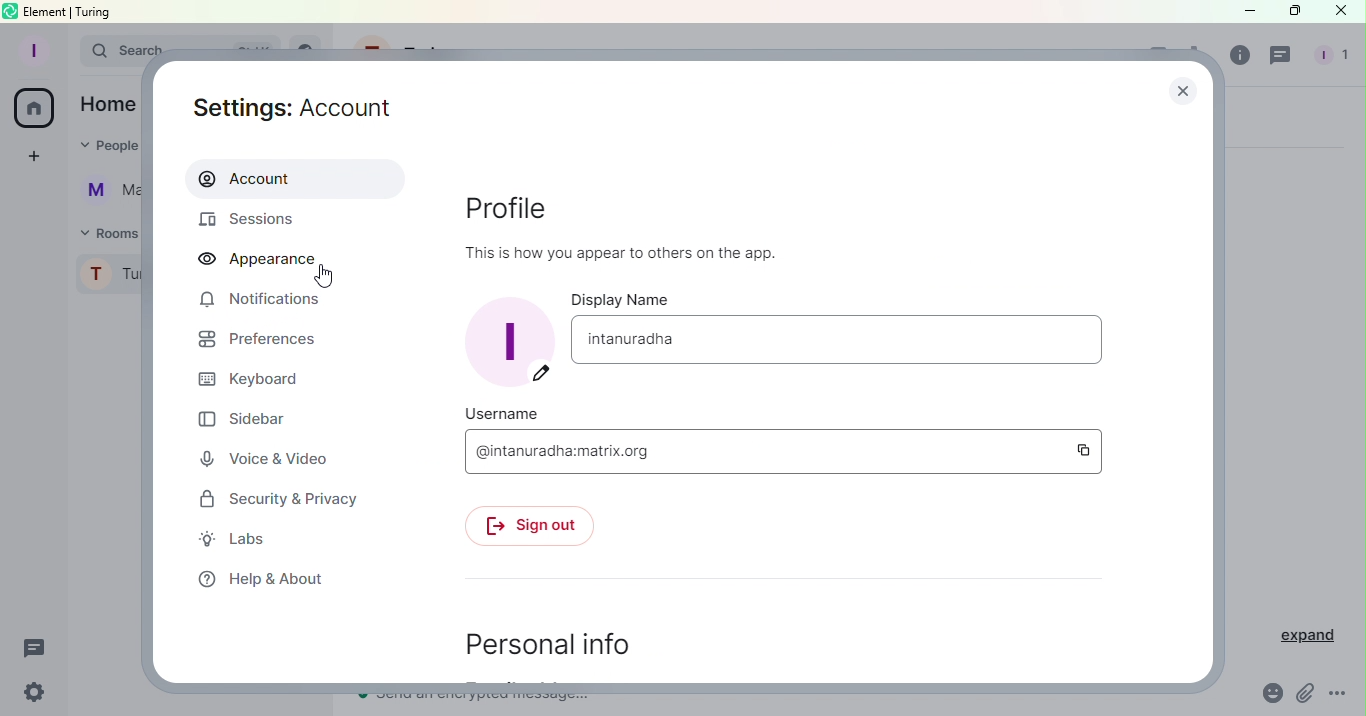  Describe the element at coordinates (548, 648) in the screenshot. I see `Personal uinfo` at that location.